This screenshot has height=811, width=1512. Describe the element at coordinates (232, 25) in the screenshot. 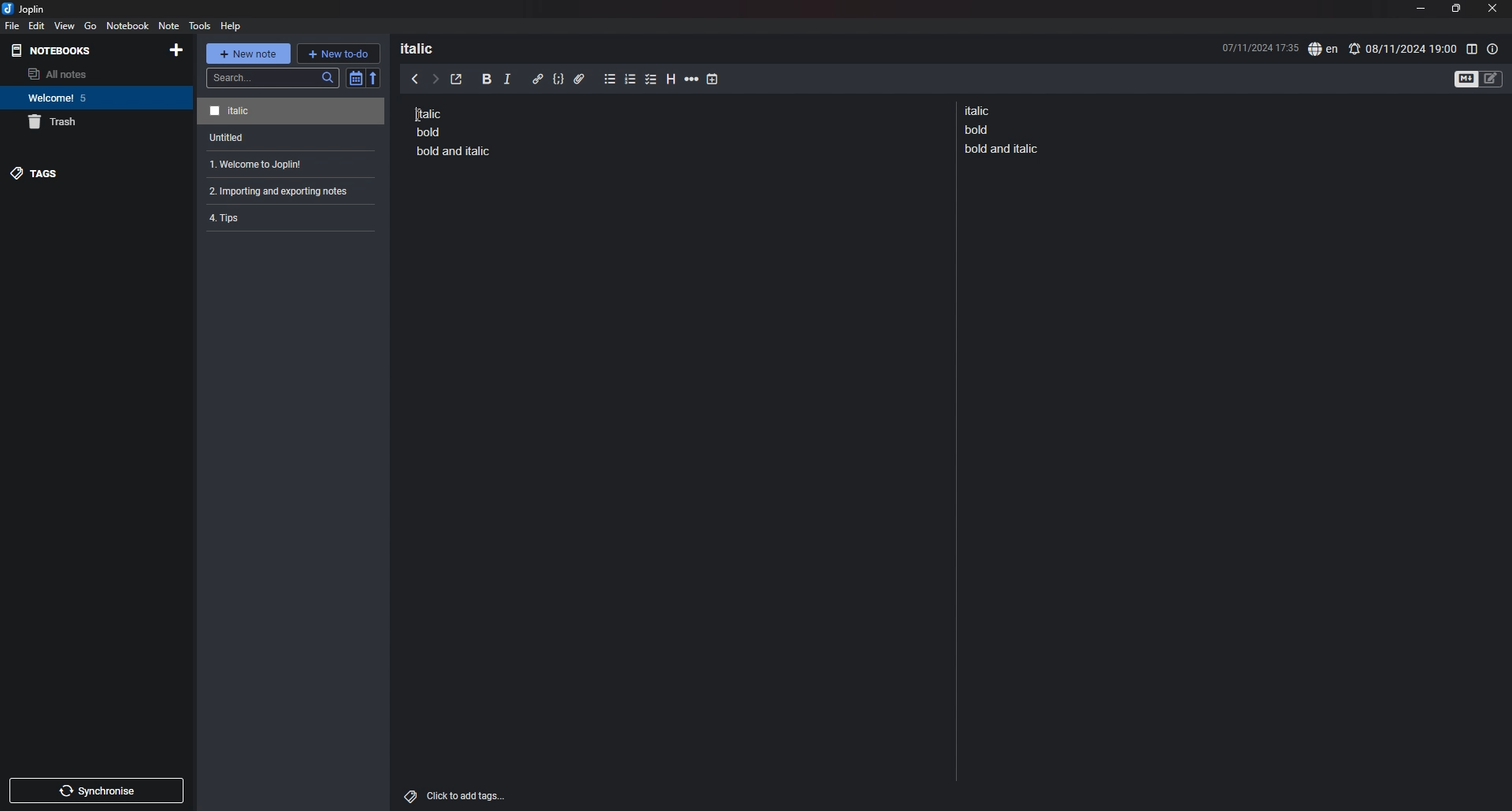

I see `help` at that location.